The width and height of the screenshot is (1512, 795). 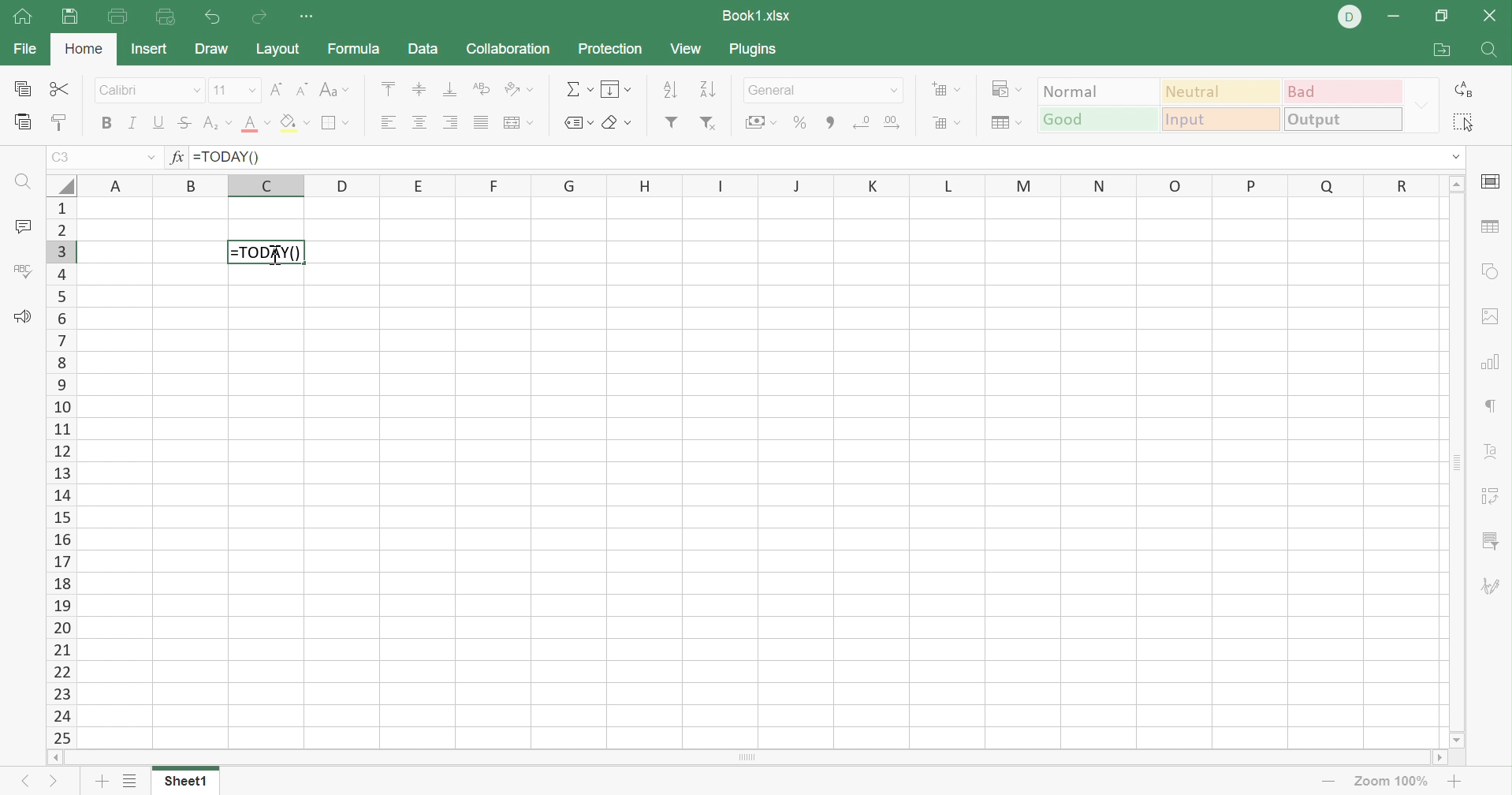 What do you see at coordinates (672, 88) in the screenshot?
I see `Ascending order` at bounding box center [672, 88].